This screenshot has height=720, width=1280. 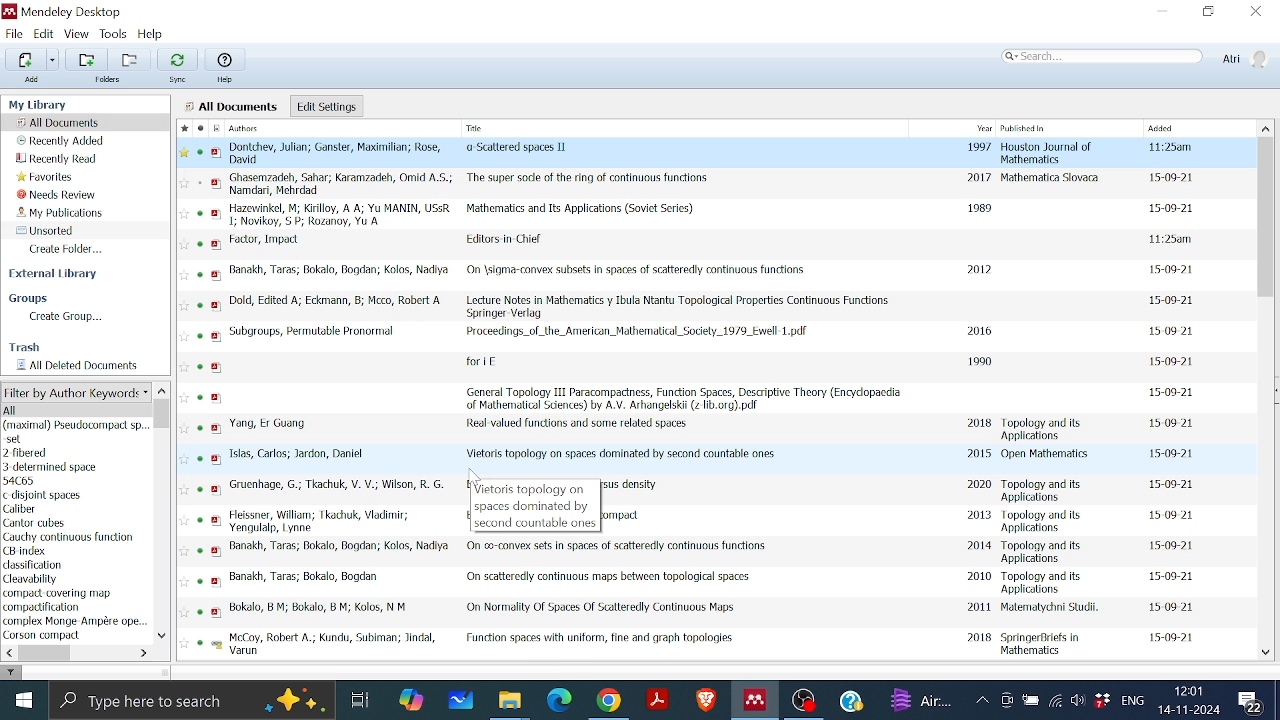 What do you see at coordinates (45, 654) in the screenshot?
I see `Horizontal scrollbar` at bounding box center [45, 654].